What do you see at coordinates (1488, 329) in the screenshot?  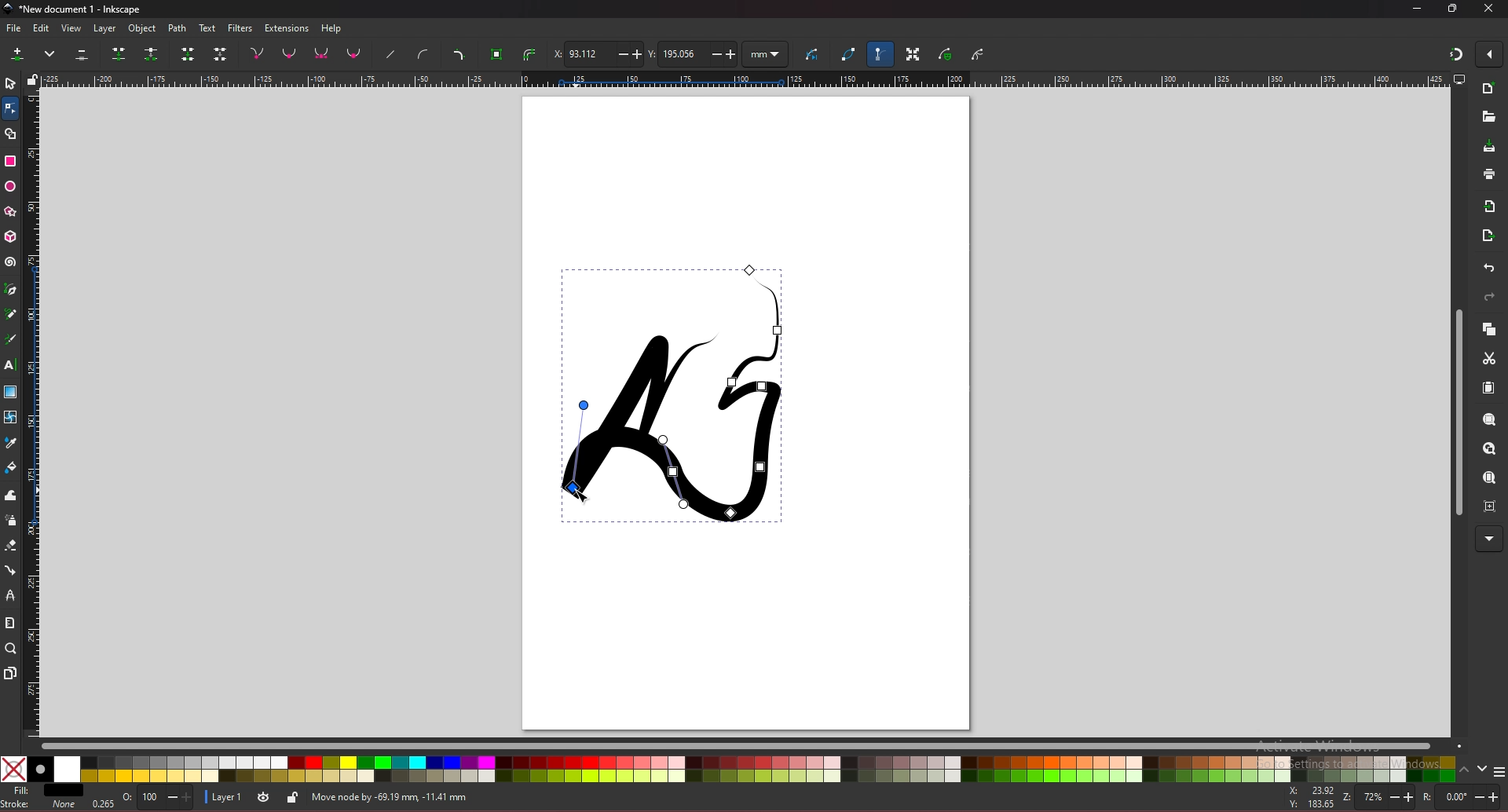 I see `copy` at bounding box center [1488, 329].